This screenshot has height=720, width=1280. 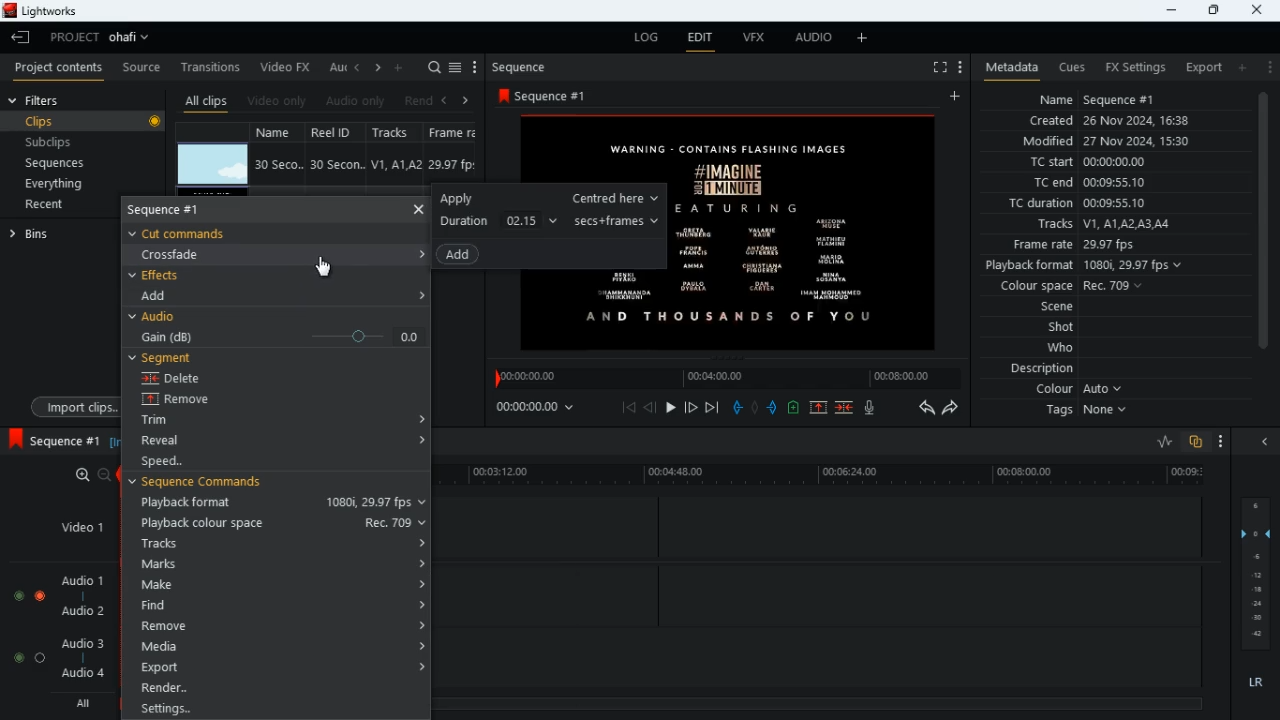 What do you see at coordinates (178, 441) in the screenshot?
I see `reveal` at bounding box center [178, 441].